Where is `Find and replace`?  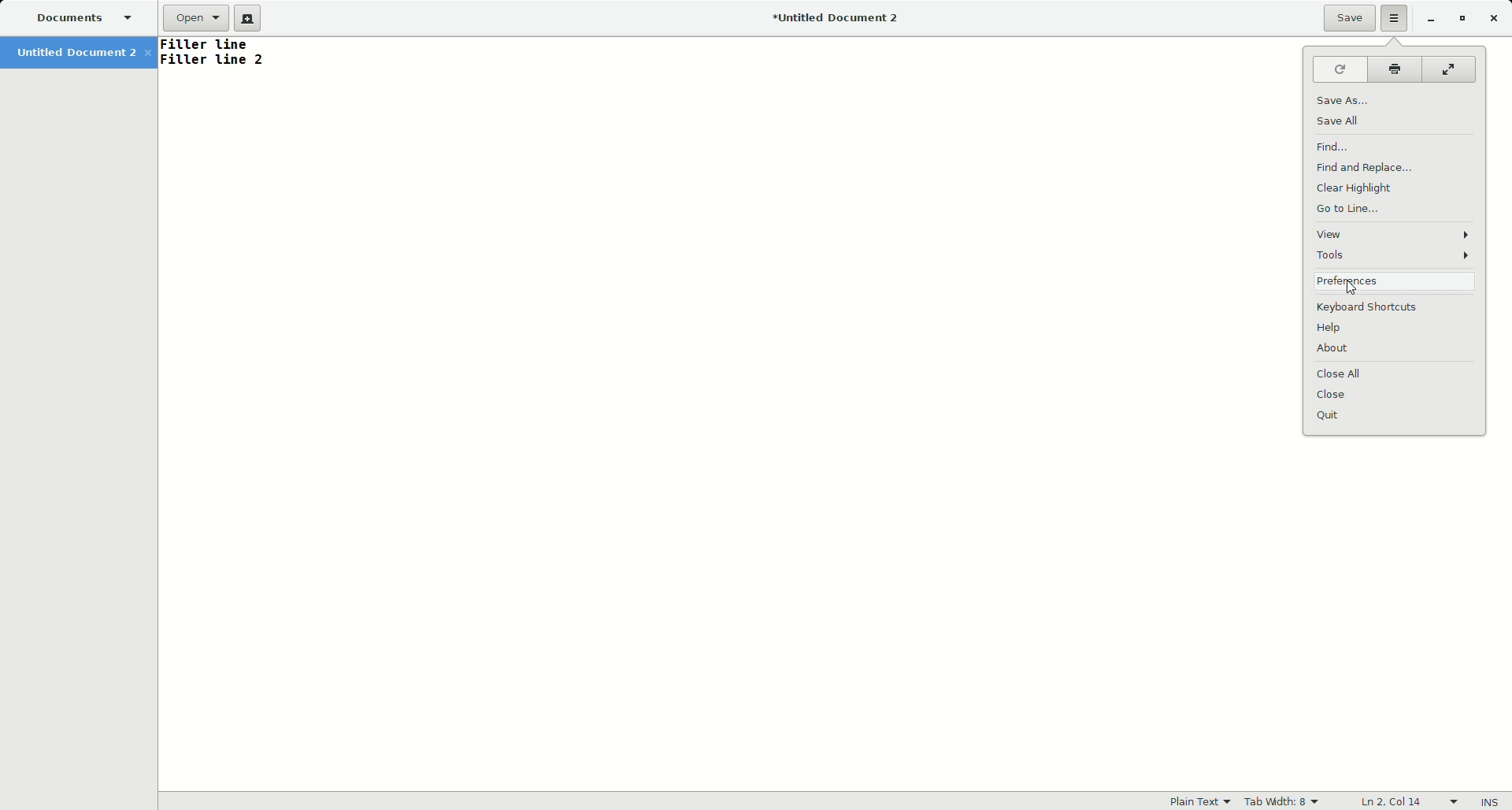
Find and replace is located at coordinates (1371, 166).